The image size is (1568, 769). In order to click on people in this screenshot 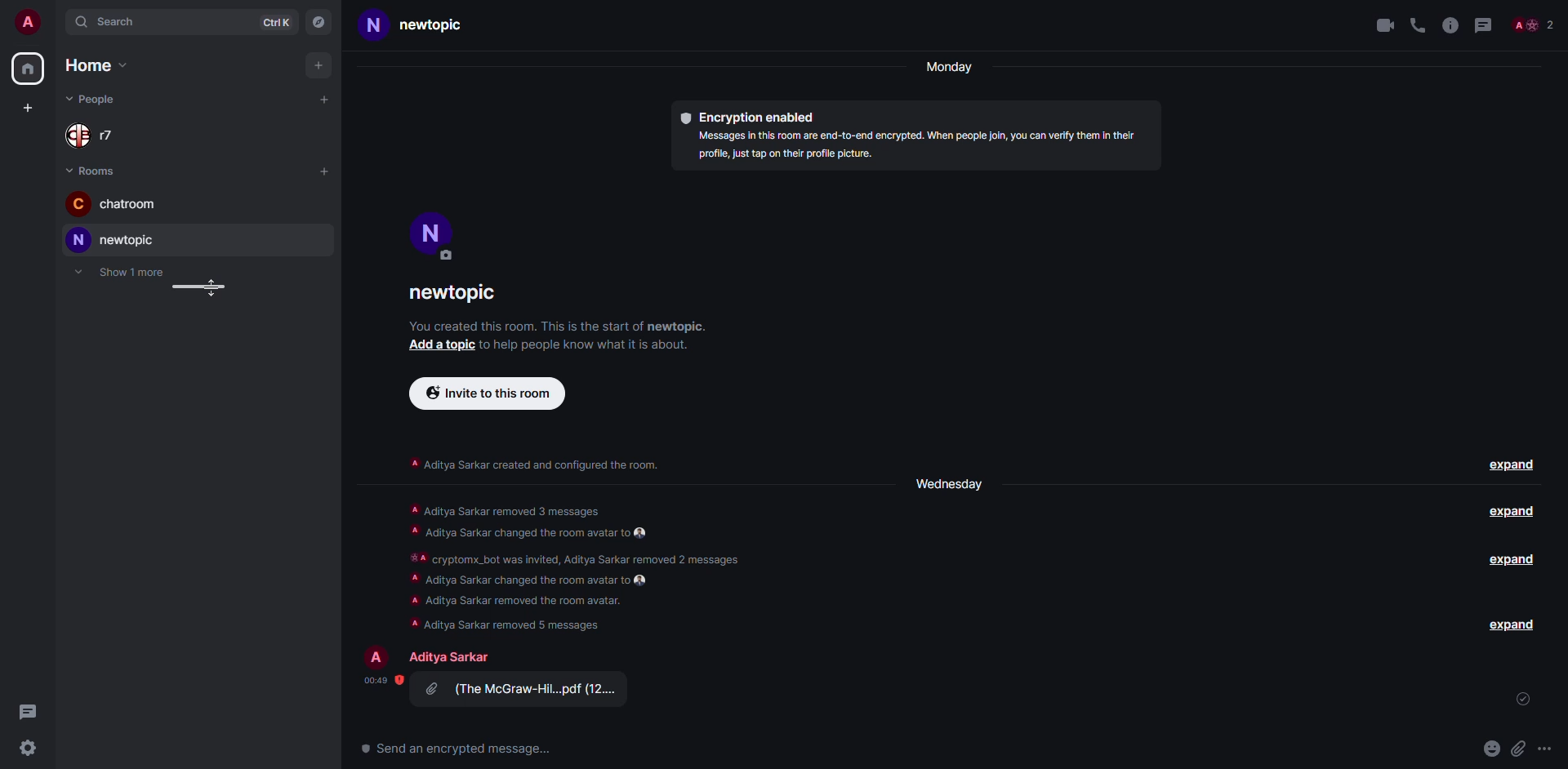, I will do `click(1531, 26)`.